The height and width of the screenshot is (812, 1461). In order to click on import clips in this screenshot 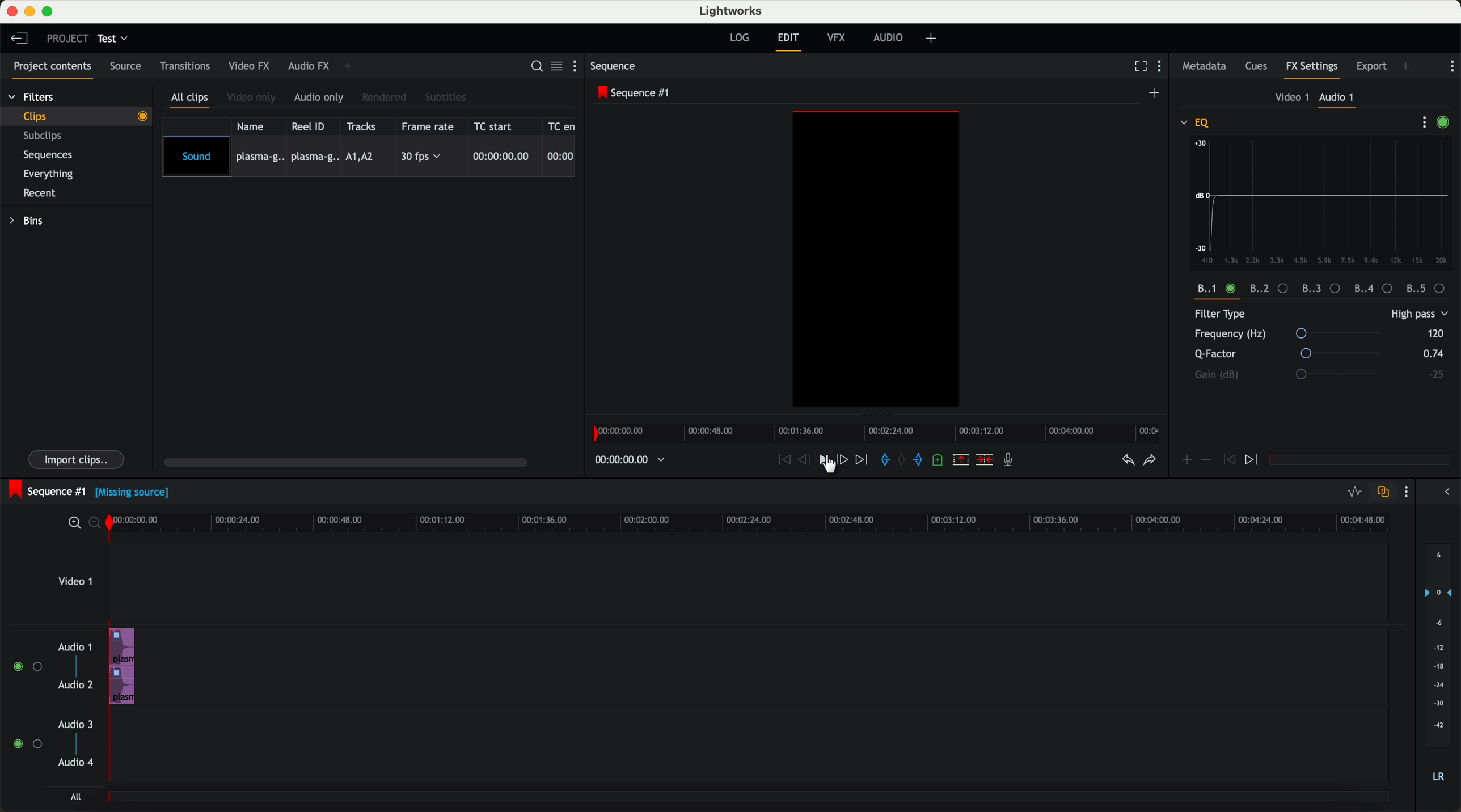, I will do `click(78, 458)`.